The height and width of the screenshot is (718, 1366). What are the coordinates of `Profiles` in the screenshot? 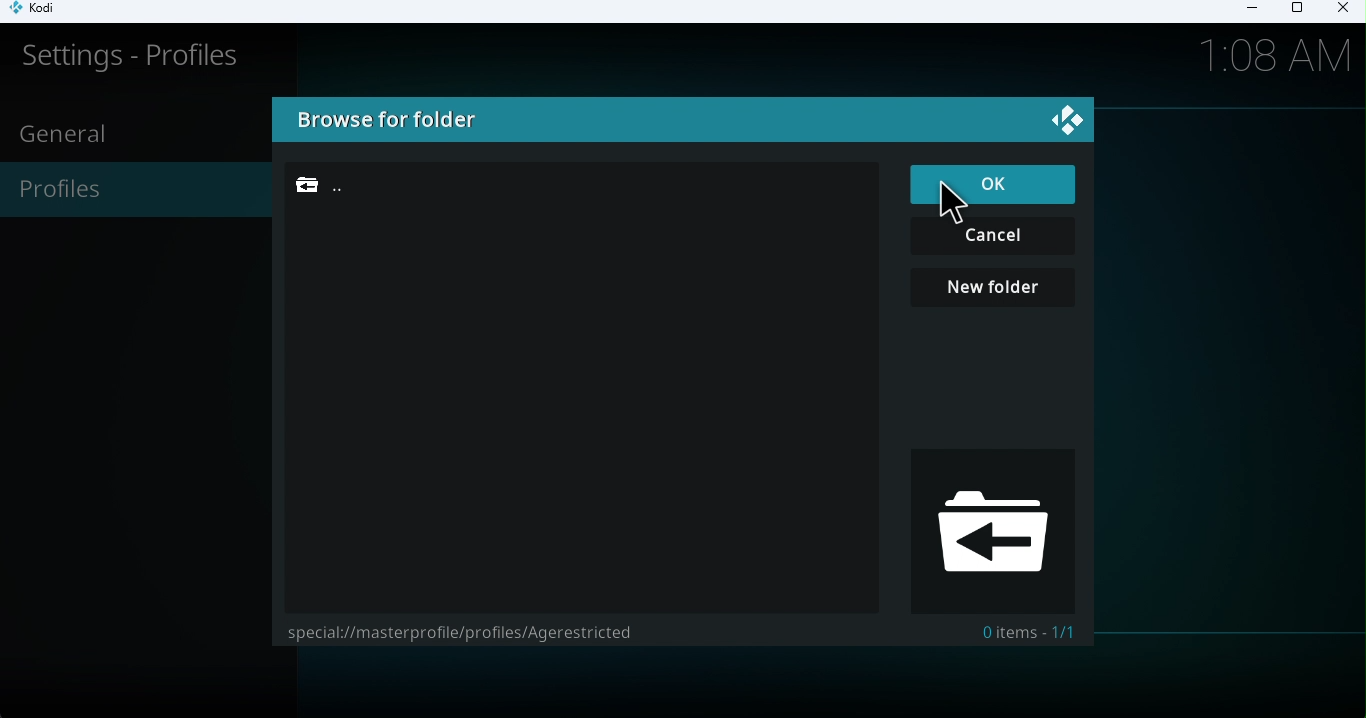 It's located at (132, 190).